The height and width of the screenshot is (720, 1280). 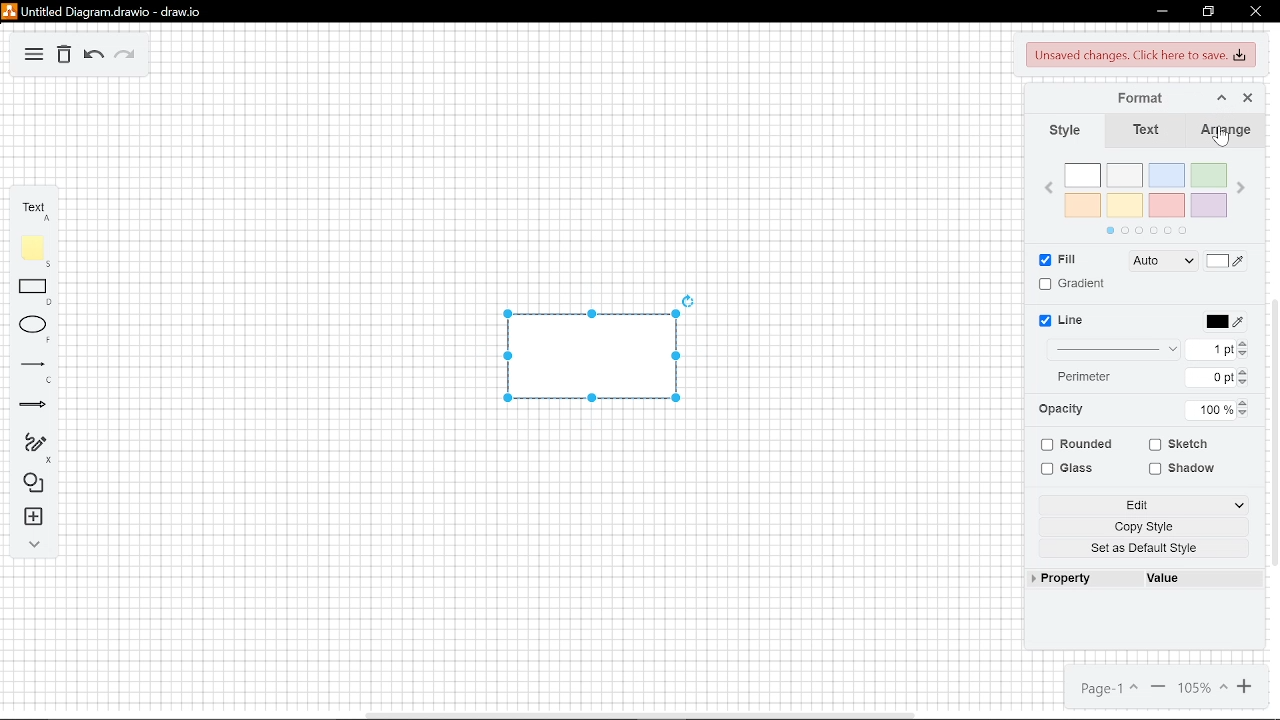 I want to click on shadow, so click(x=1184, y=468).